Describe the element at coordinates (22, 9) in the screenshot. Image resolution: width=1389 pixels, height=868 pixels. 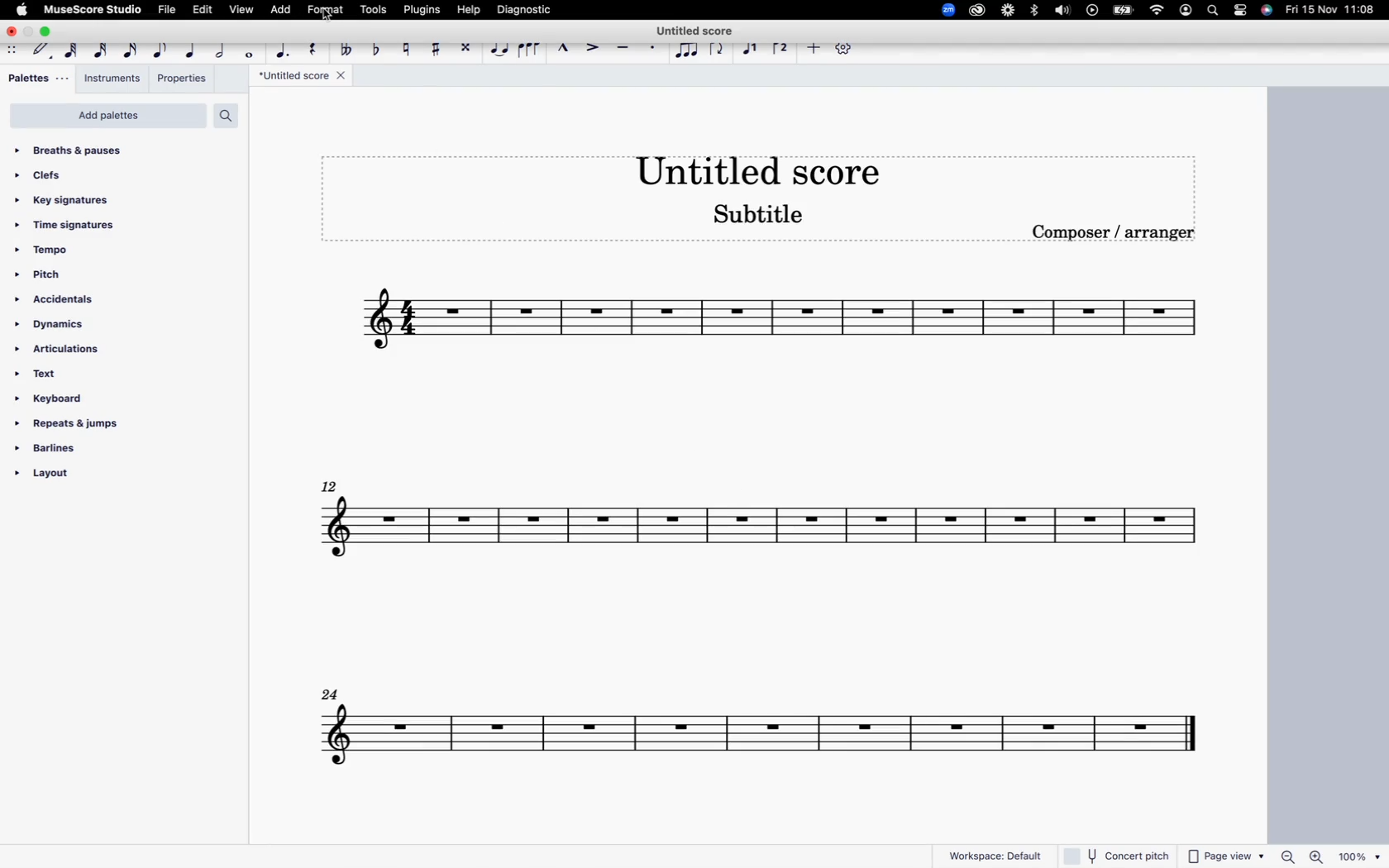
I see `apple` at that location.